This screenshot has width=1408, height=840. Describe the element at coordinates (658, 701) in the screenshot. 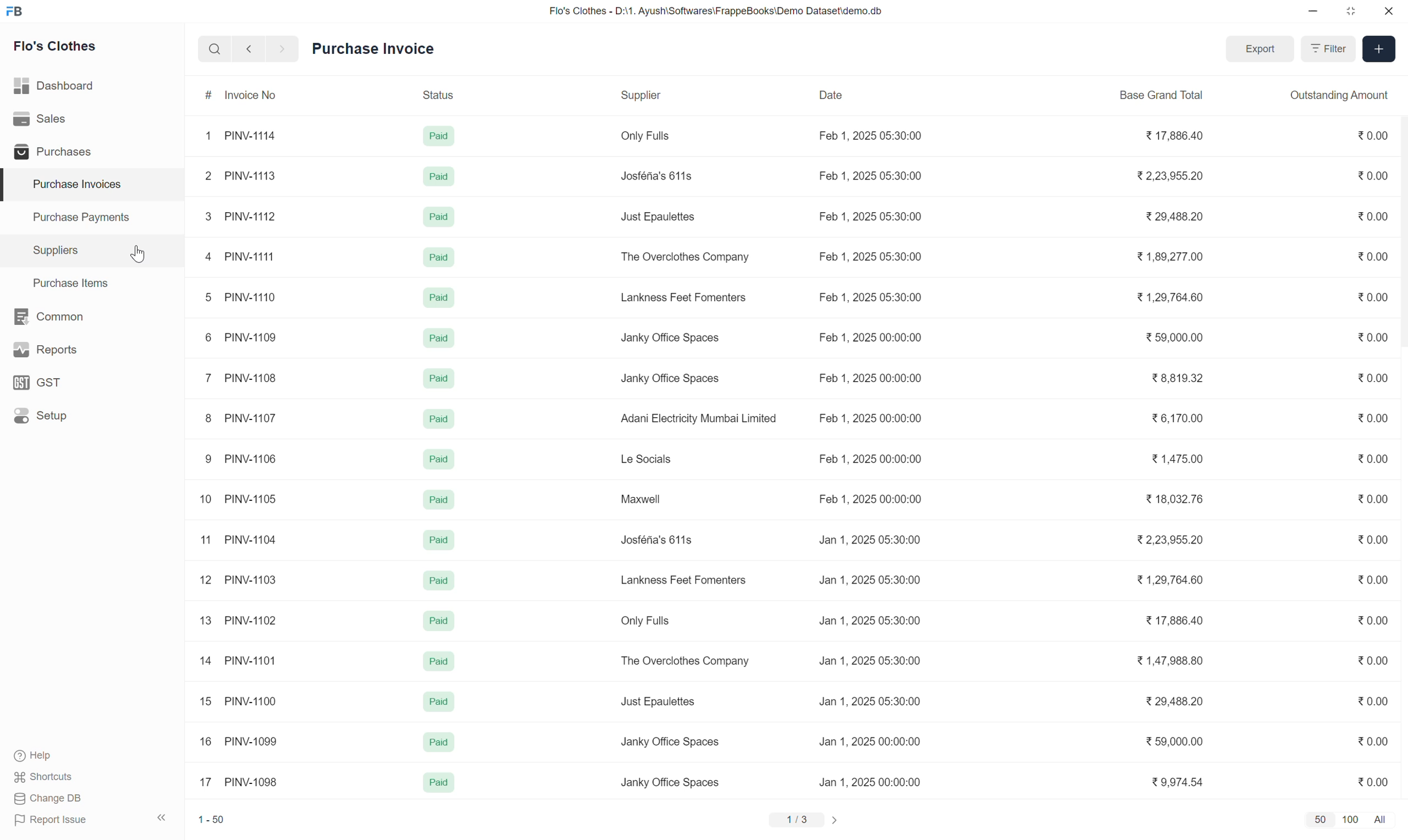

I see `Just Epaulettes` at that location.